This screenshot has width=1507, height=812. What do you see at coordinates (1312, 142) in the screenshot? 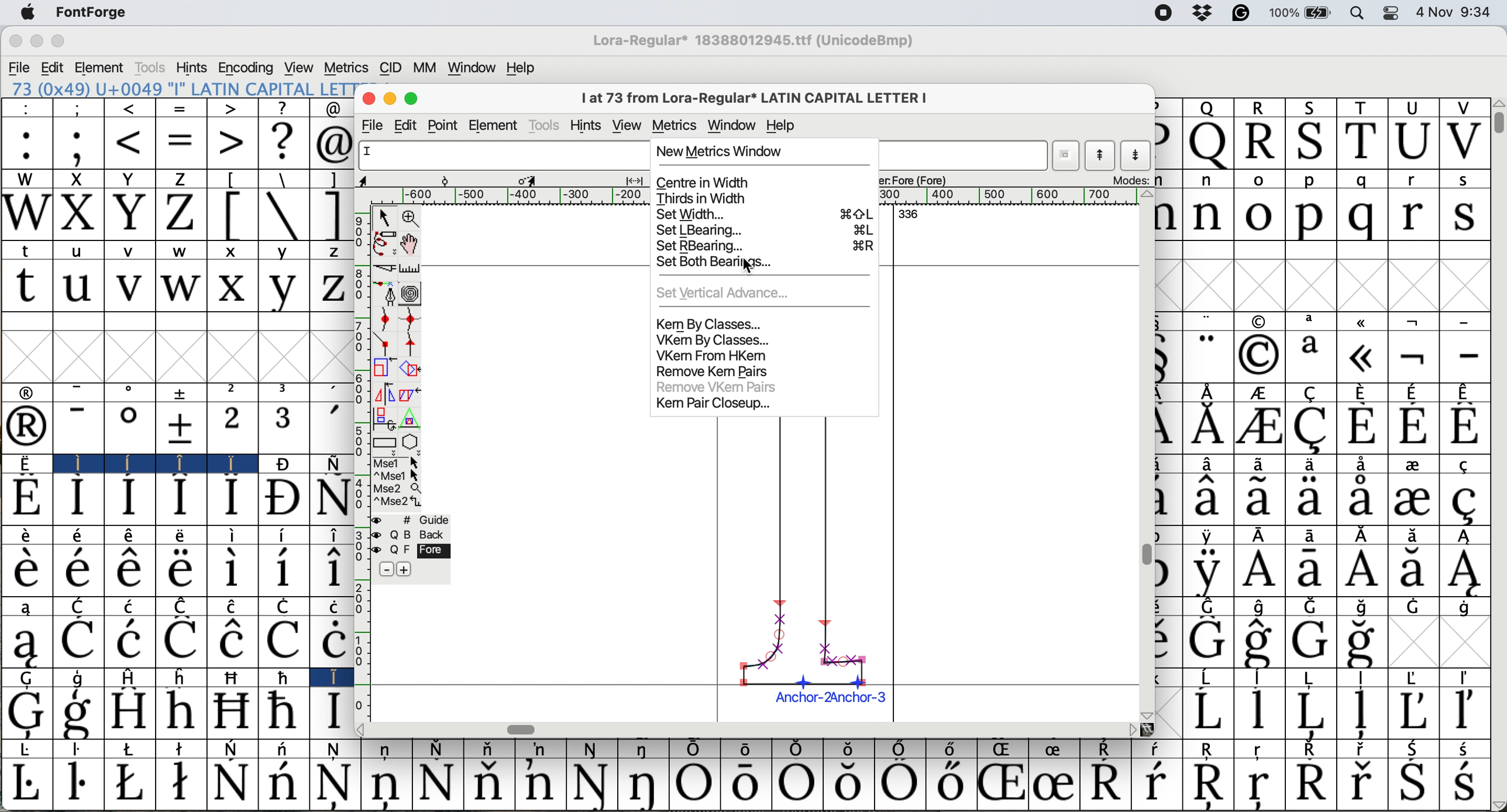
I see `S` at bounding box center [1312, 142].